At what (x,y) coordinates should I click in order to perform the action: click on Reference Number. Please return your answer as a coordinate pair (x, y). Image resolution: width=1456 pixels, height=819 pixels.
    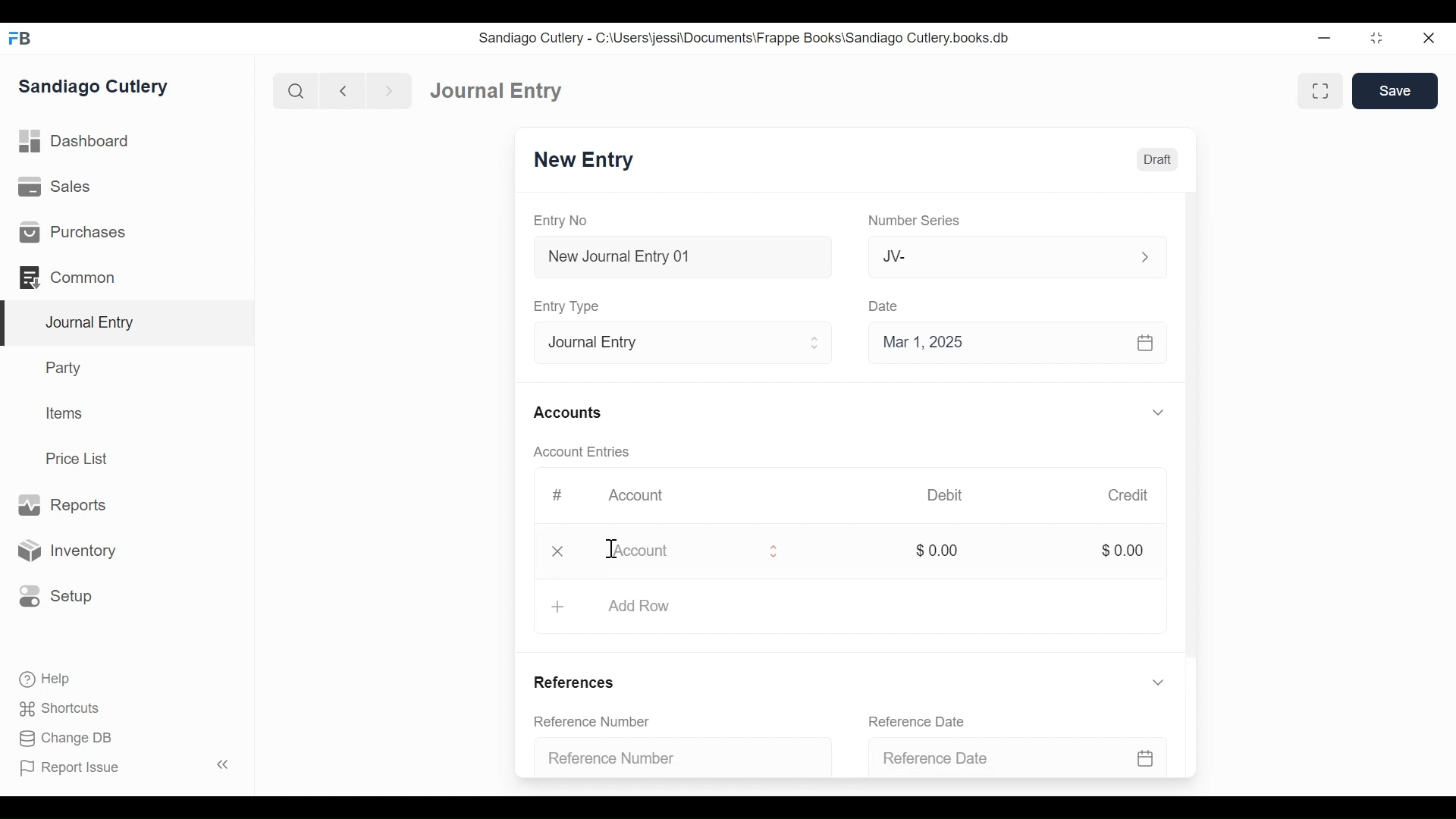
    Looking at the image, I should click on (680, 759).